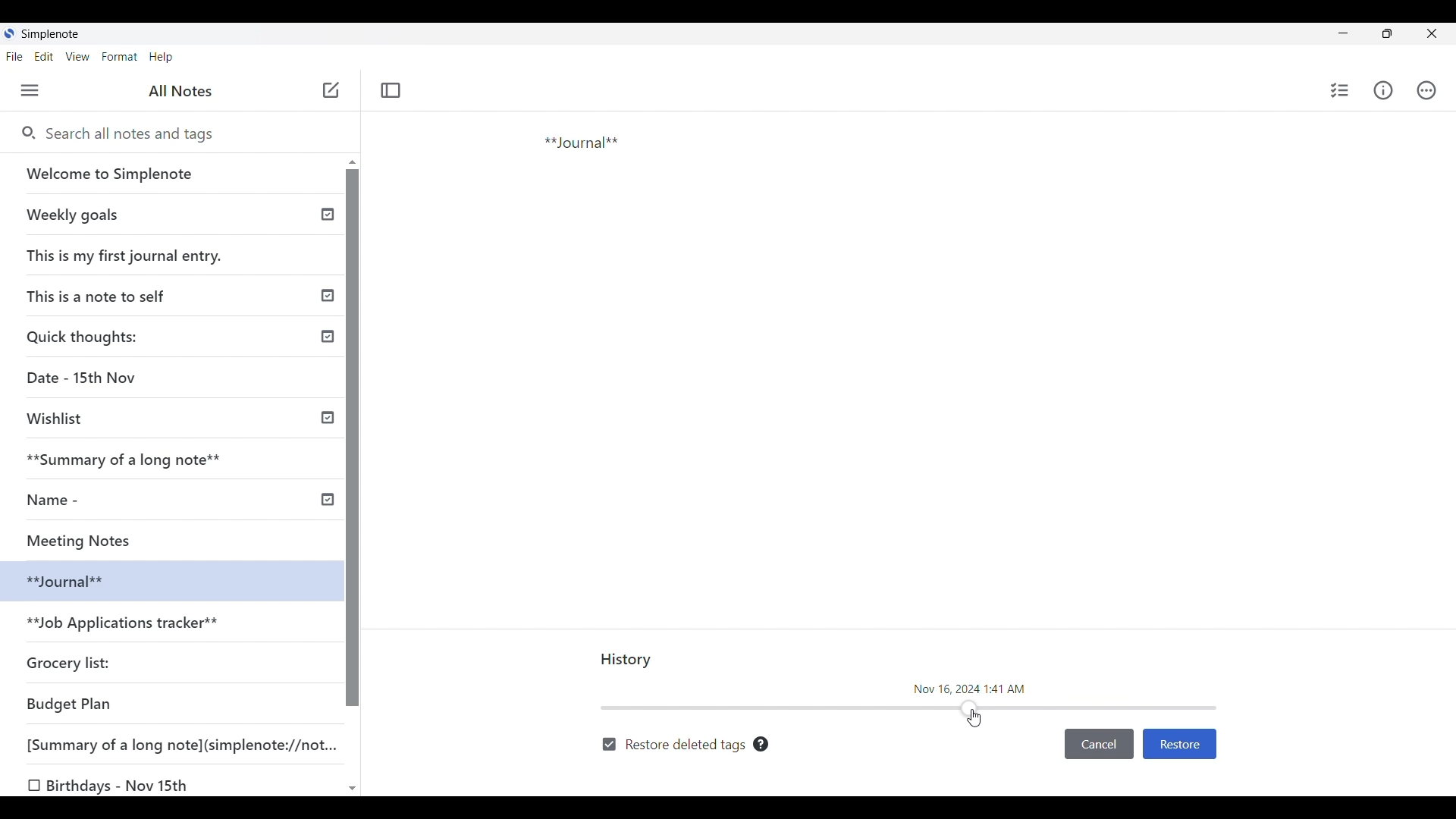 The height and width of the screenshot is (819, 1456). I want to click on Meeting Notes, so click(96, 538).